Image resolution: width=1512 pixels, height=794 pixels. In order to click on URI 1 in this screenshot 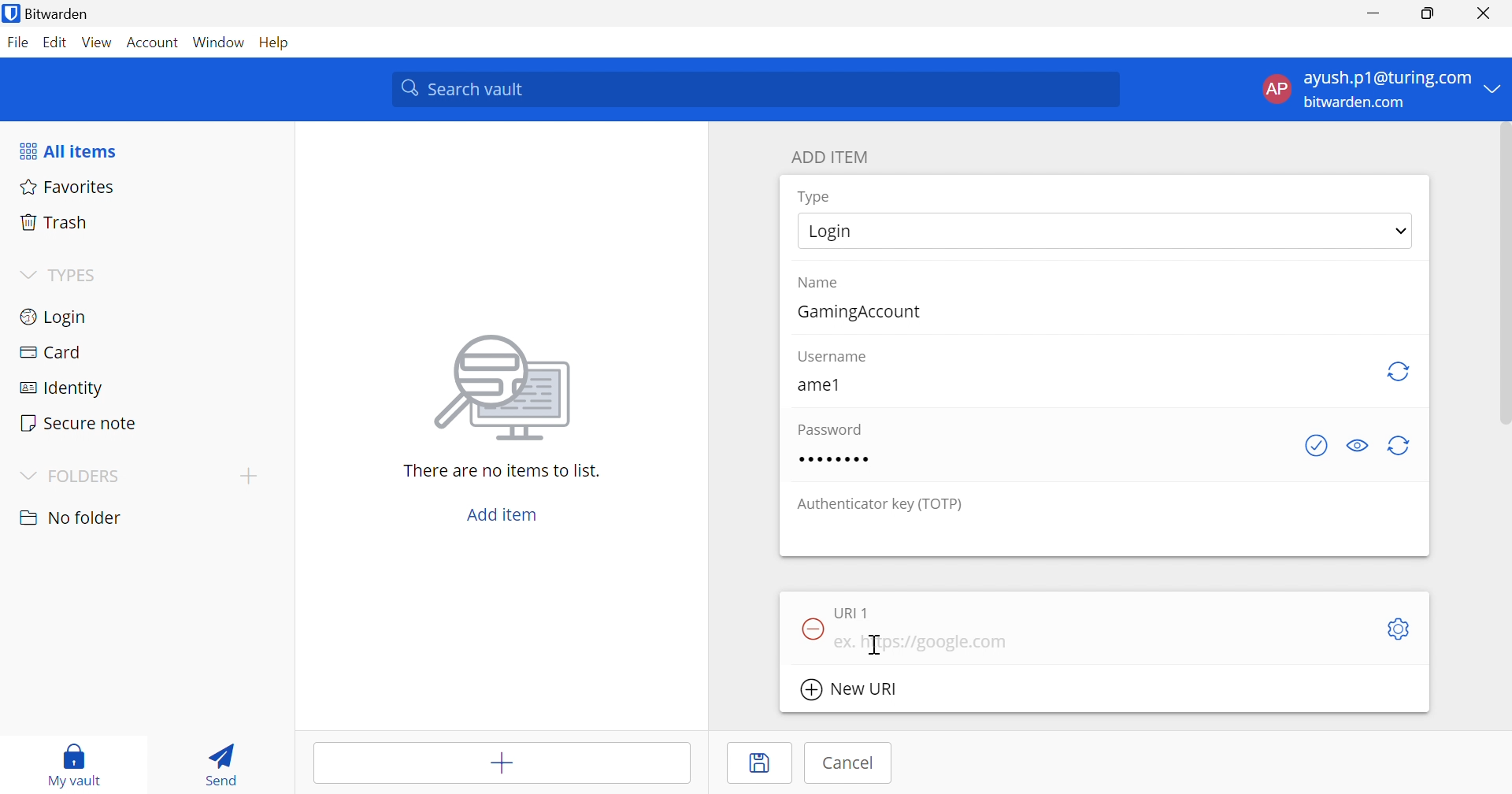, I will do `click(858, 612)`.